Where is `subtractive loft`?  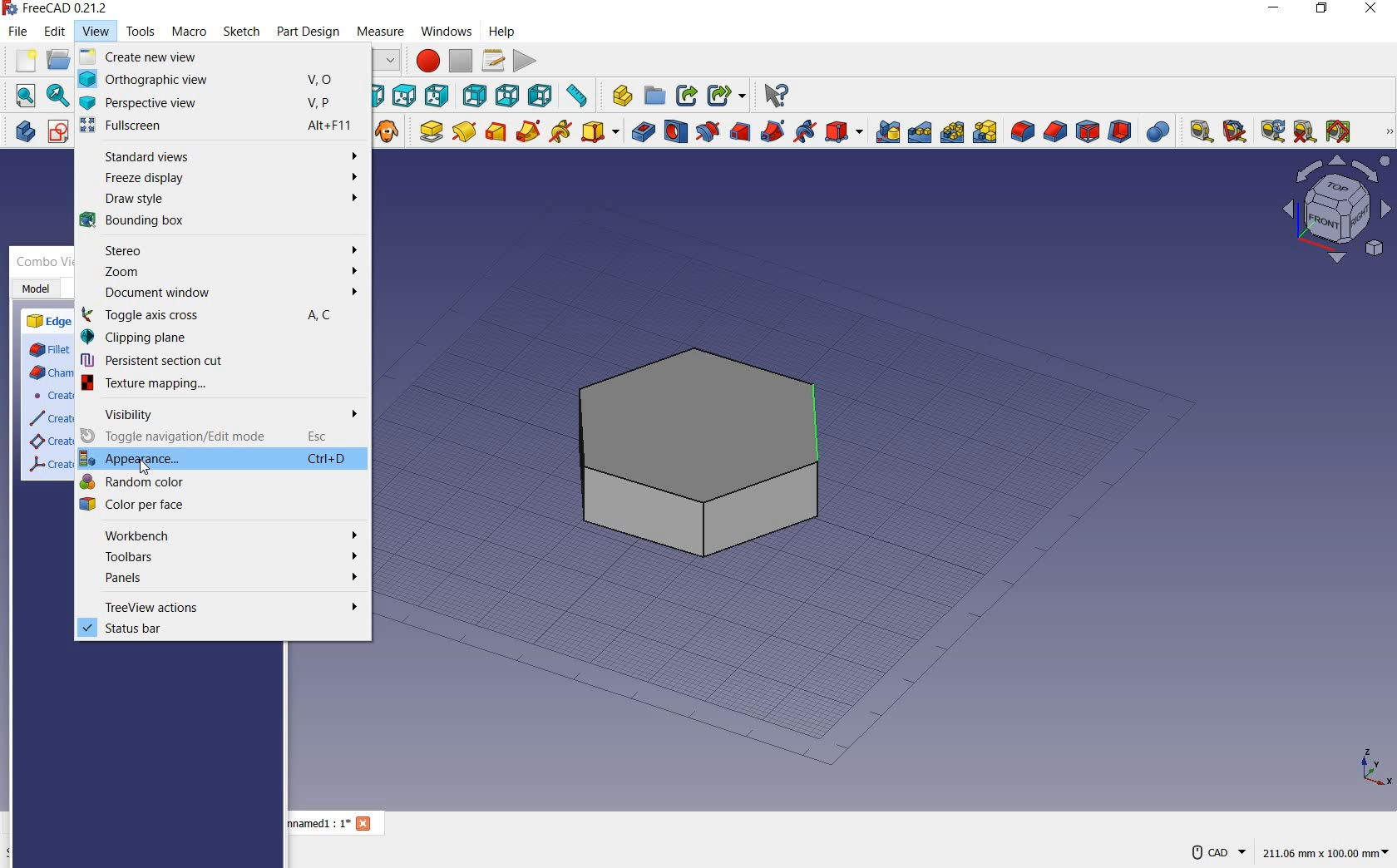 subtractive loft is located at coordinates (742, 134).